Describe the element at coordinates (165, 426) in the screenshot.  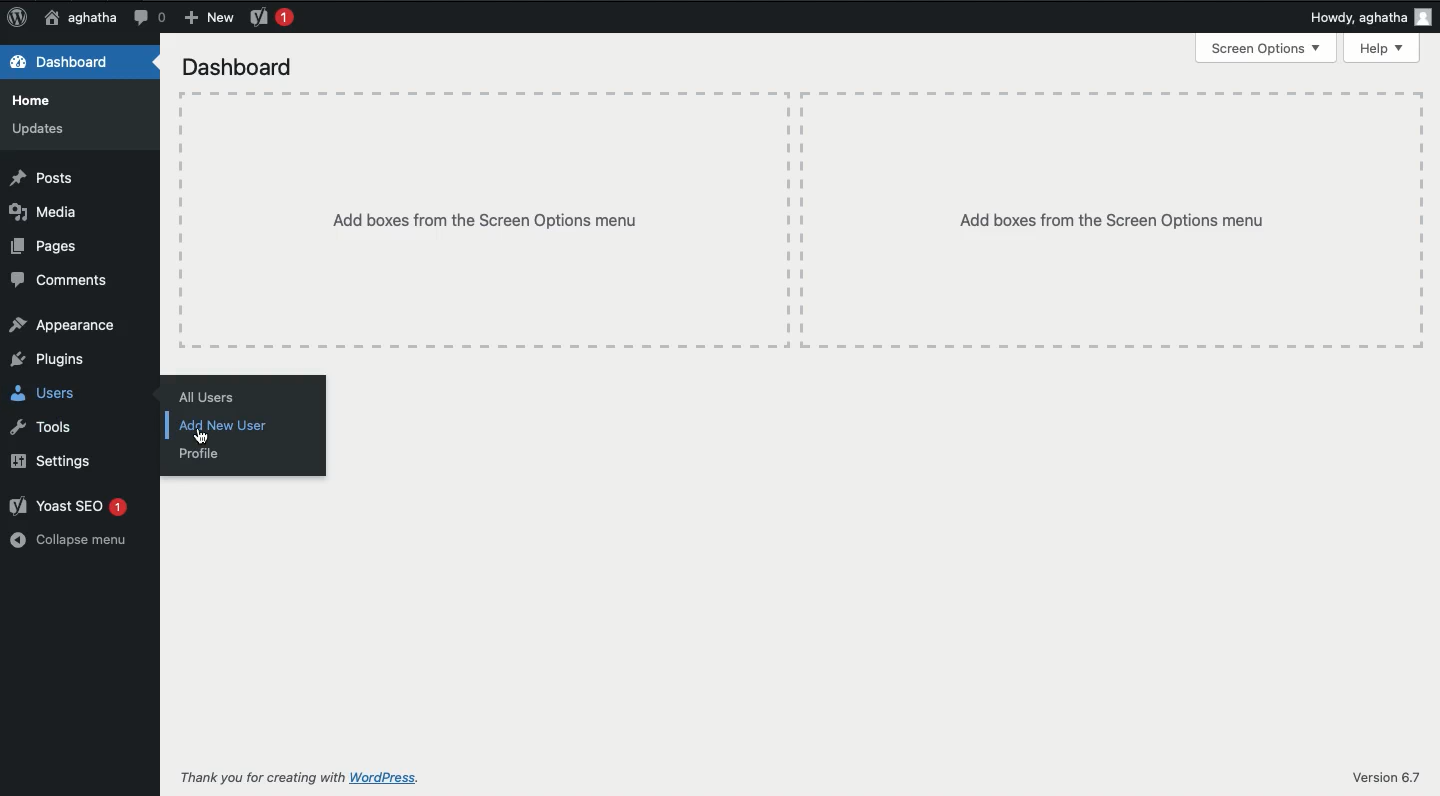
I see `line new user` at that location.